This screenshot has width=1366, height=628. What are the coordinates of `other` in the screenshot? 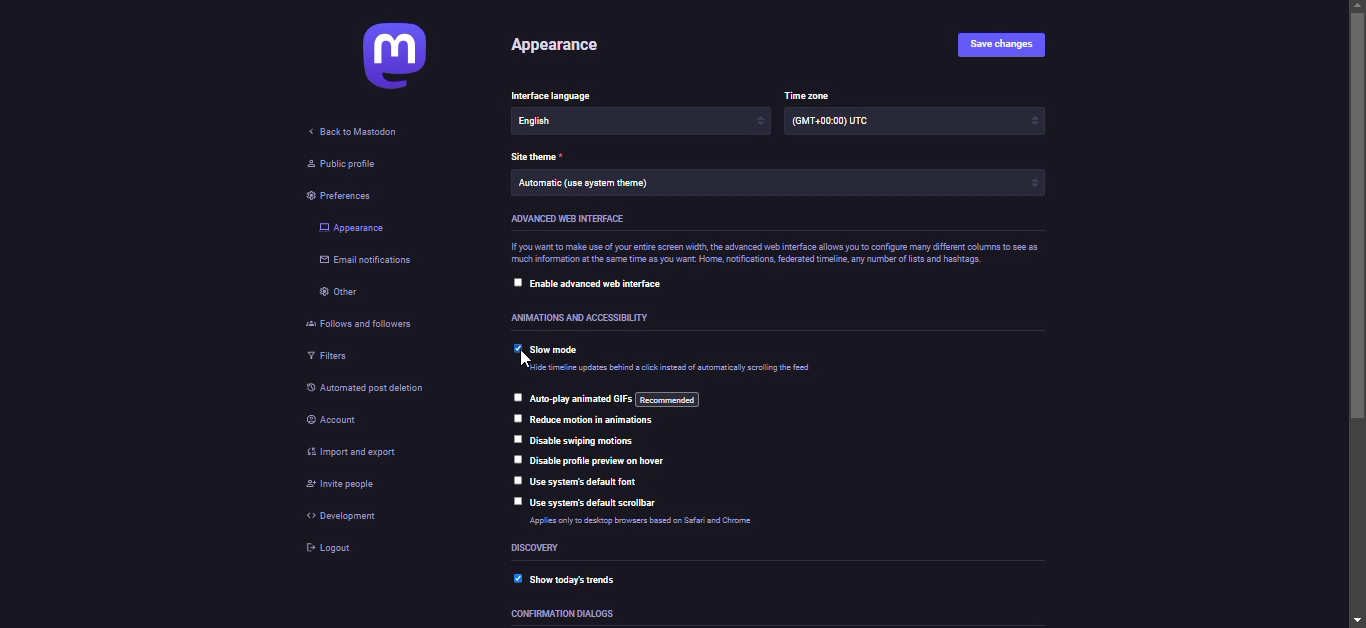 It's located at (343, 295).